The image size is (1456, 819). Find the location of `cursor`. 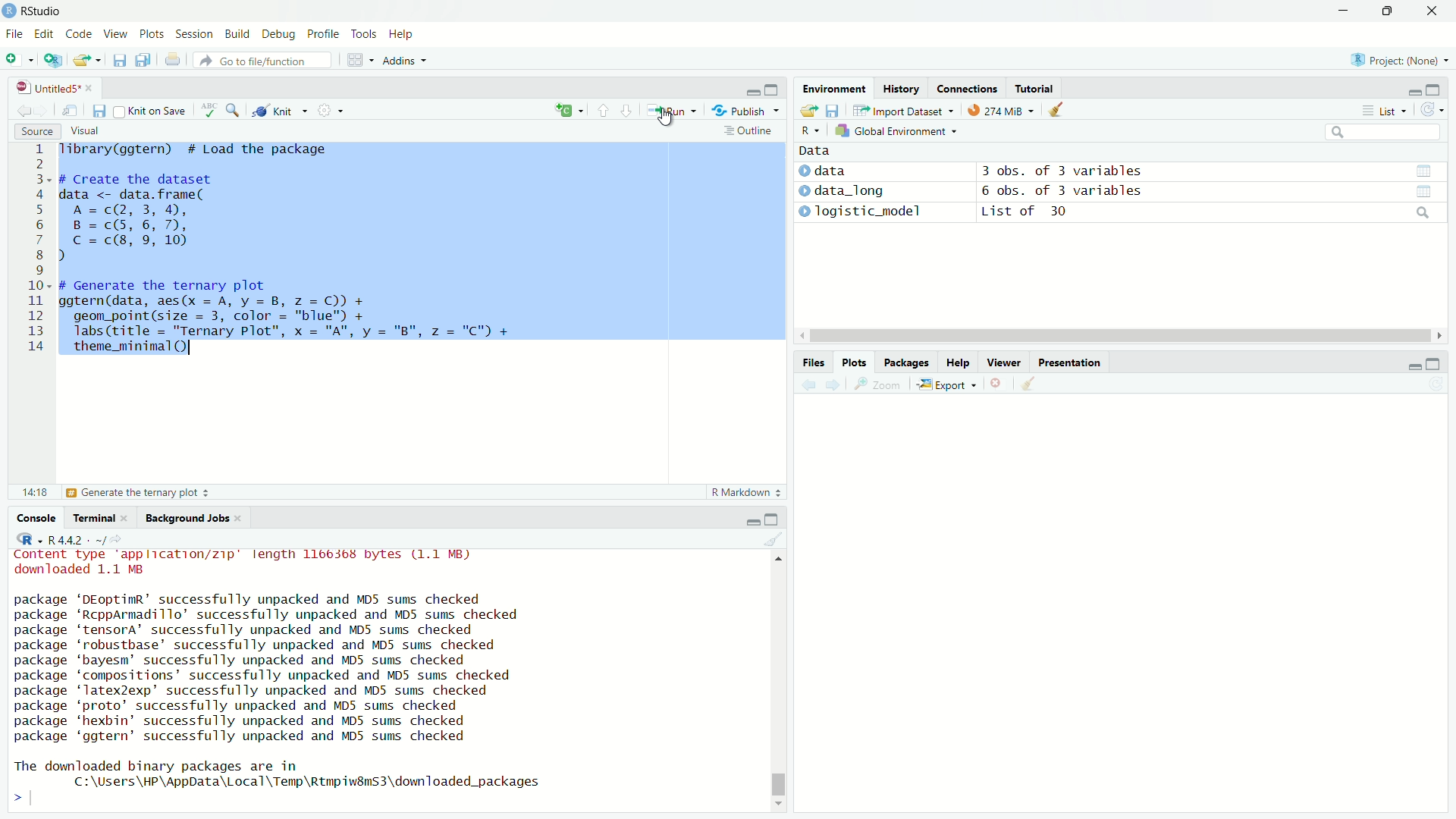

cursor is located at coordinates (1109, 337).